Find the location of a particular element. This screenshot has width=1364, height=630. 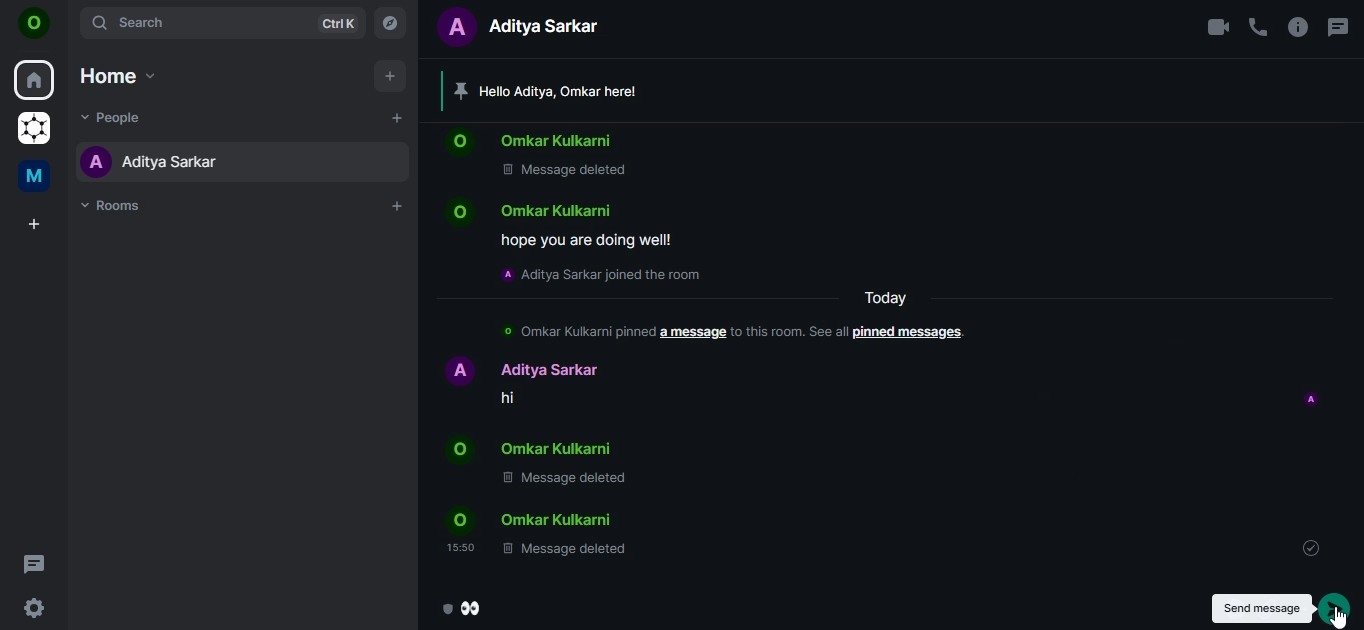

room info is located at coordinates (1298, 26).